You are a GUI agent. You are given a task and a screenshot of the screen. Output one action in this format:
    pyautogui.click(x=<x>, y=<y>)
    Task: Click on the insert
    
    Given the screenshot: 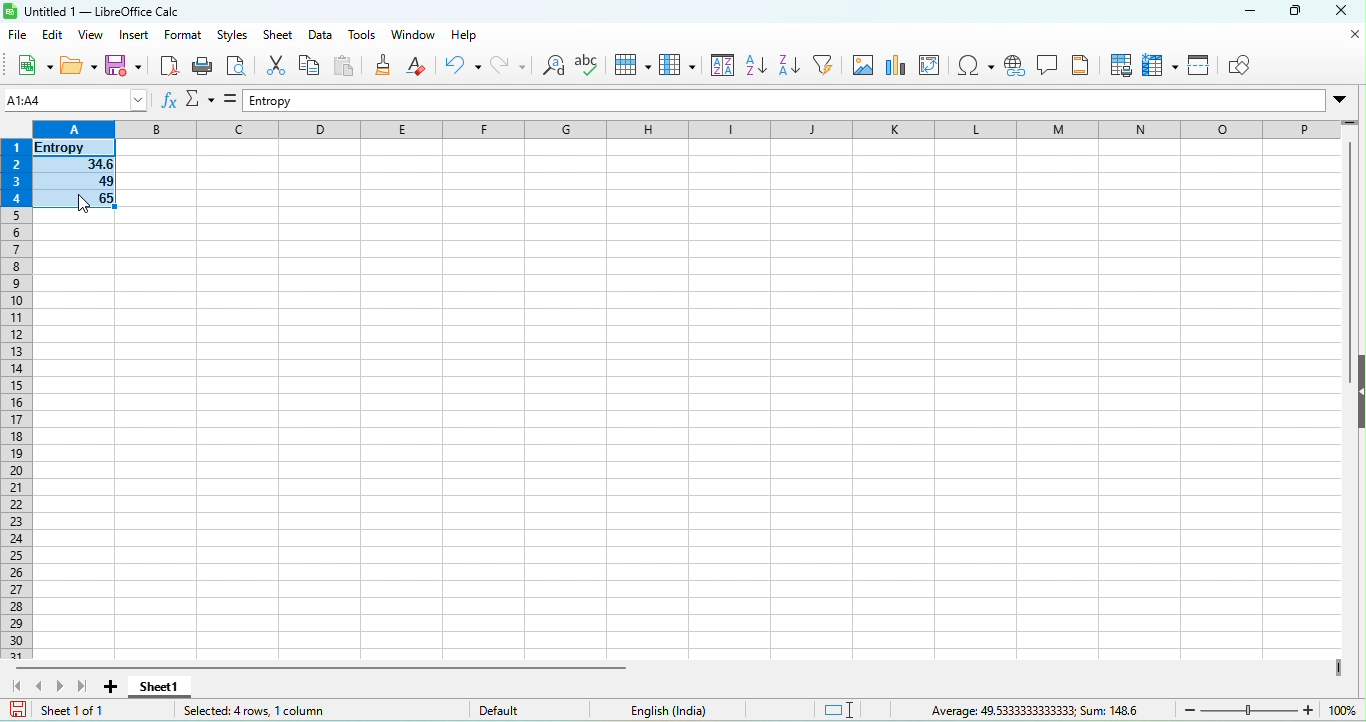 What is the action you would take?
    pyautogui.click(x=135, y=37)
    